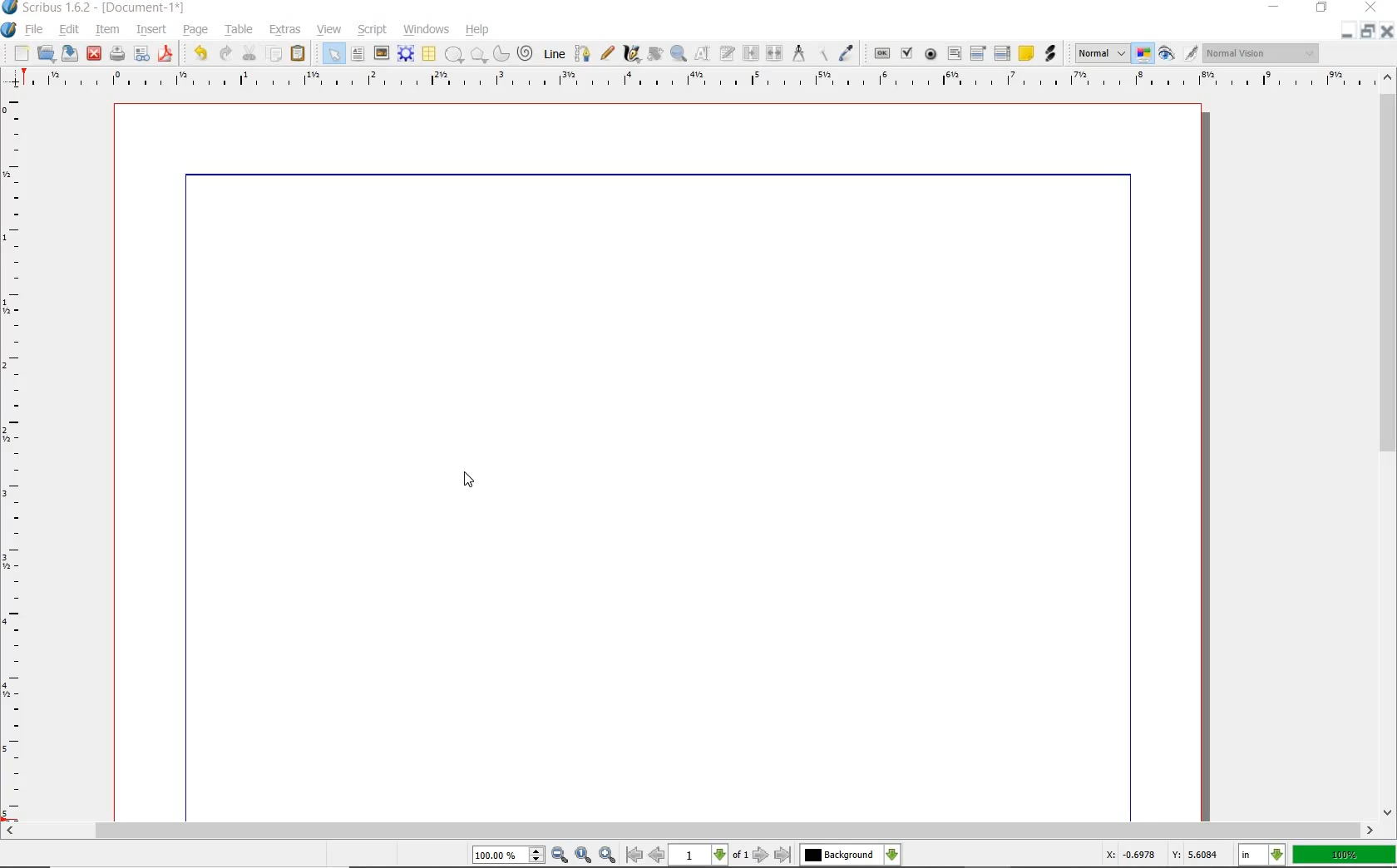 The height and width of the screenshot is (868, 1397). What do you see at coordinates (1004, 53) in the screenshot?
I see `PDF LIST BOX` at bounding box center [1004, 53].